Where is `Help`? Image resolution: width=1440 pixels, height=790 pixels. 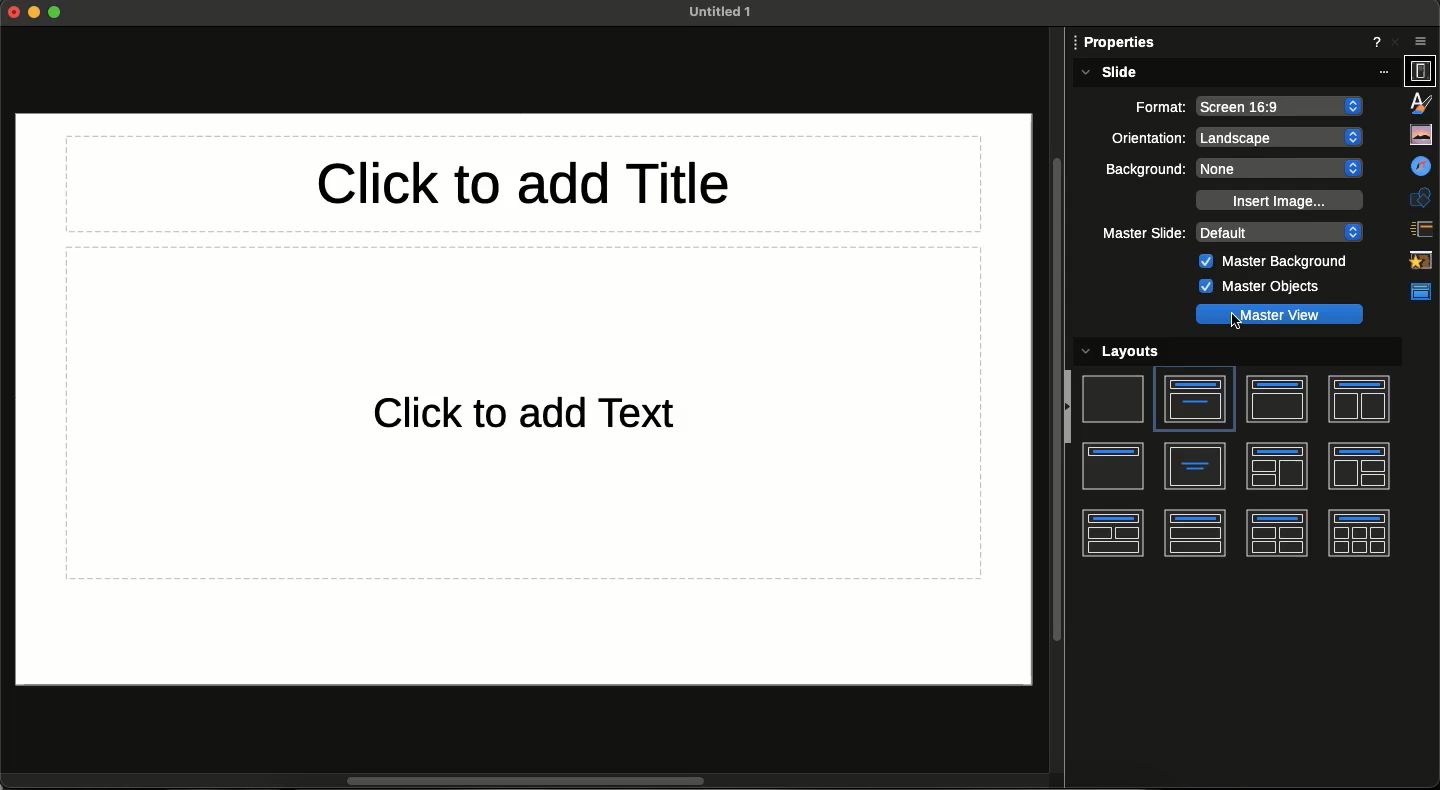 Help is located at coordinates (1373, 43).